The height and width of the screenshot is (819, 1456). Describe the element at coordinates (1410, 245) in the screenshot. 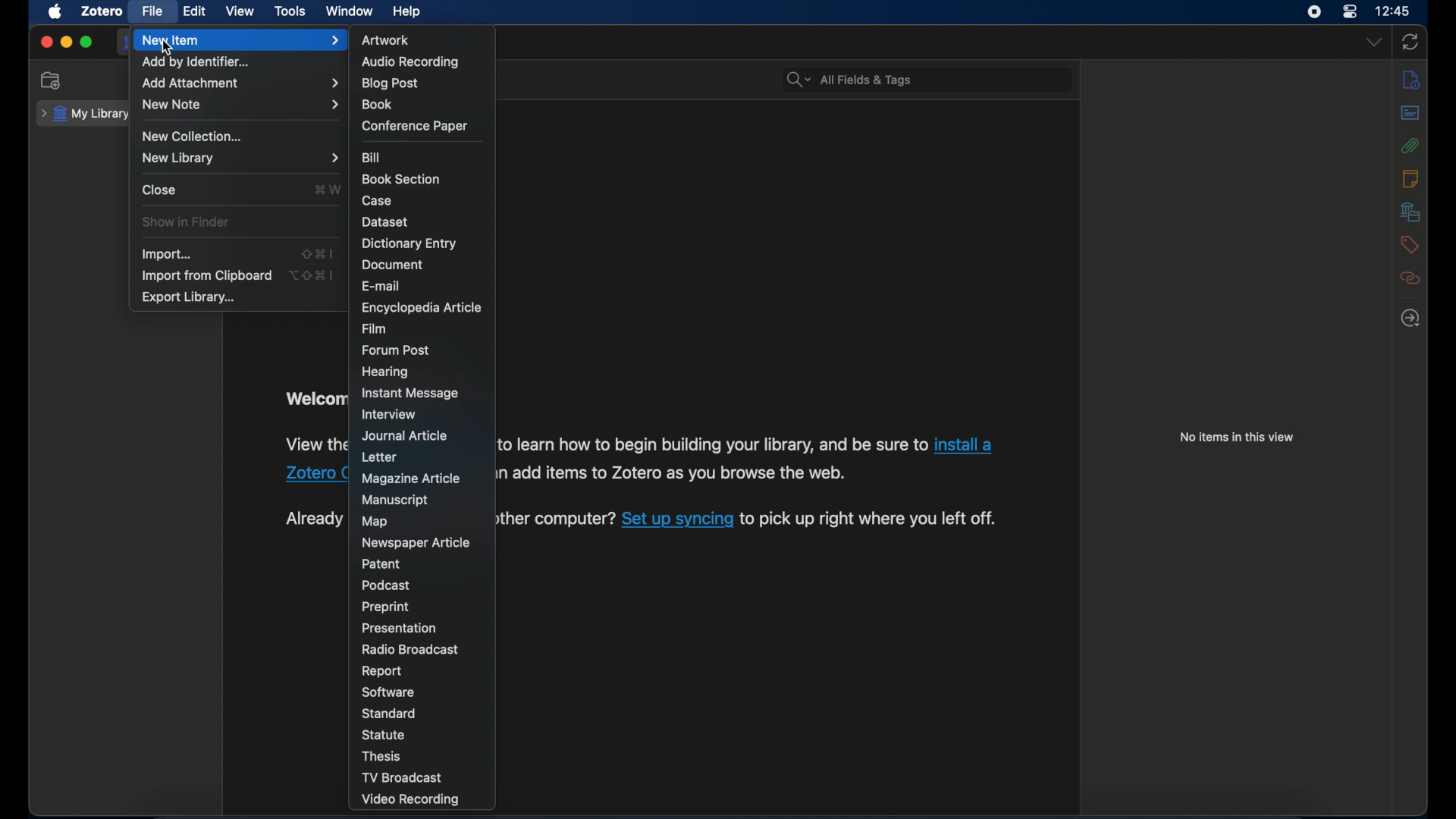

I see `tags` at that location.